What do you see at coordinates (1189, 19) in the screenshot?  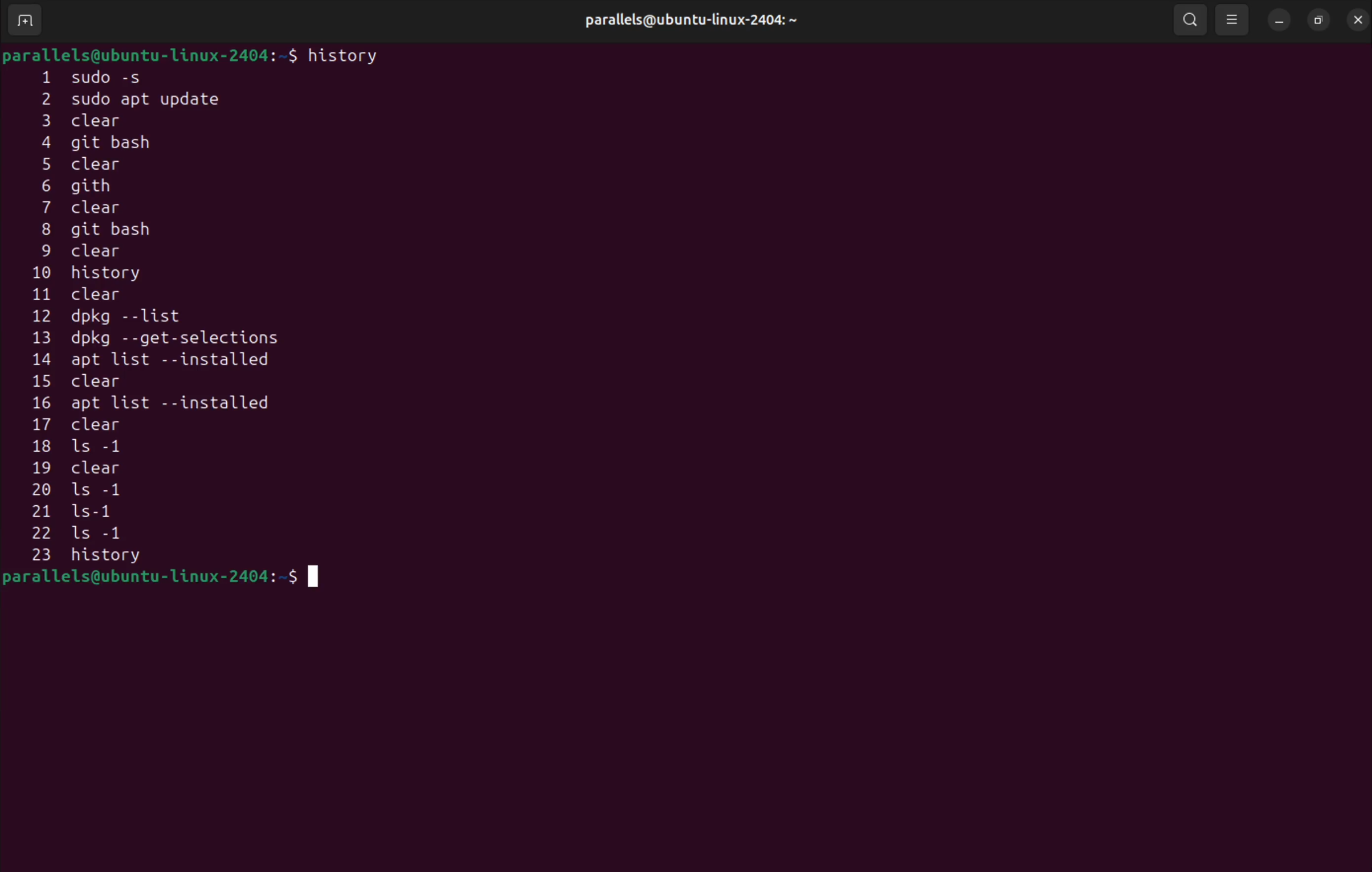 I see `search` at bounding box center [1189, 19].